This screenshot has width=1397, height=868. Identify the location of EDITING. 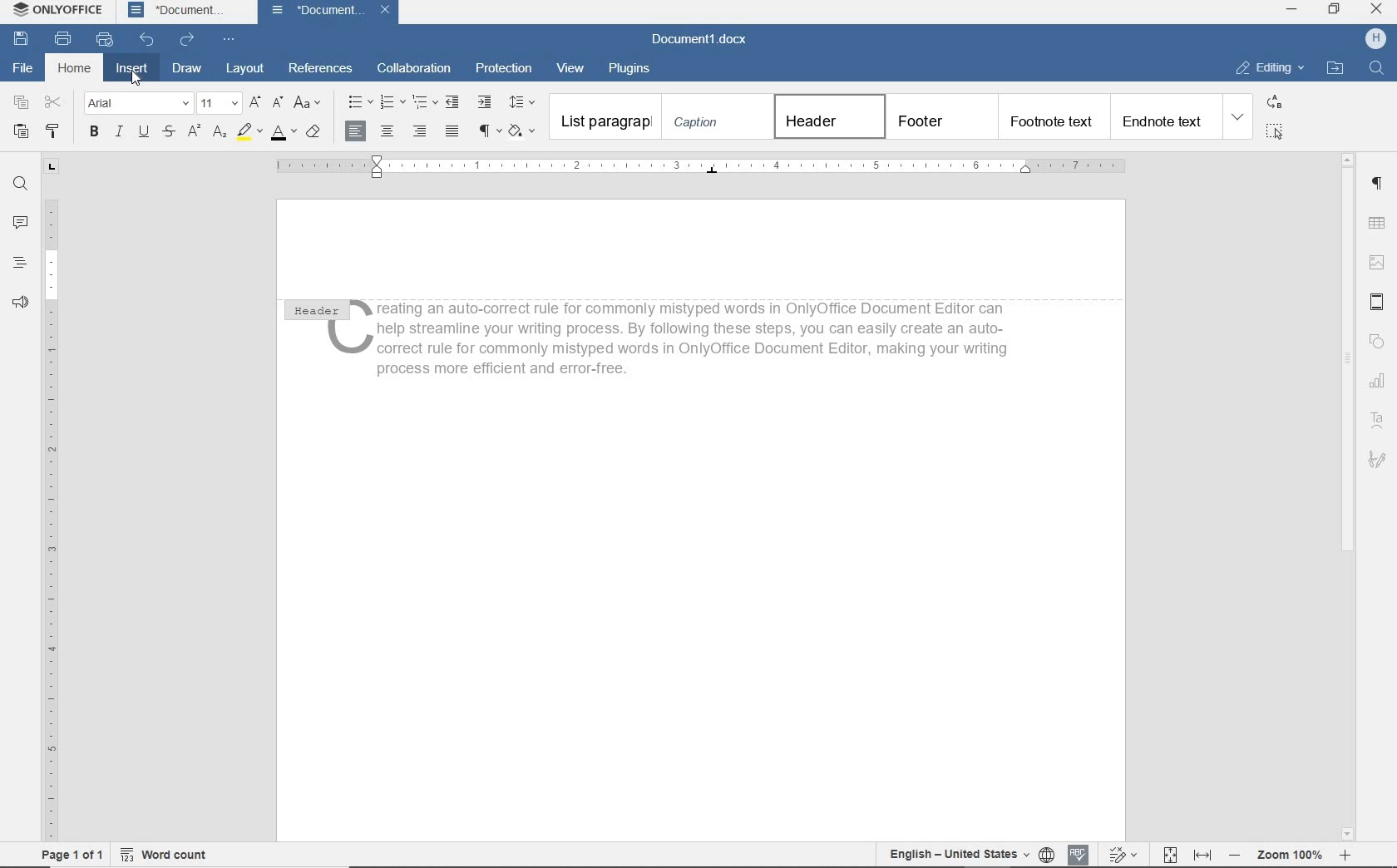
(1271, 67).